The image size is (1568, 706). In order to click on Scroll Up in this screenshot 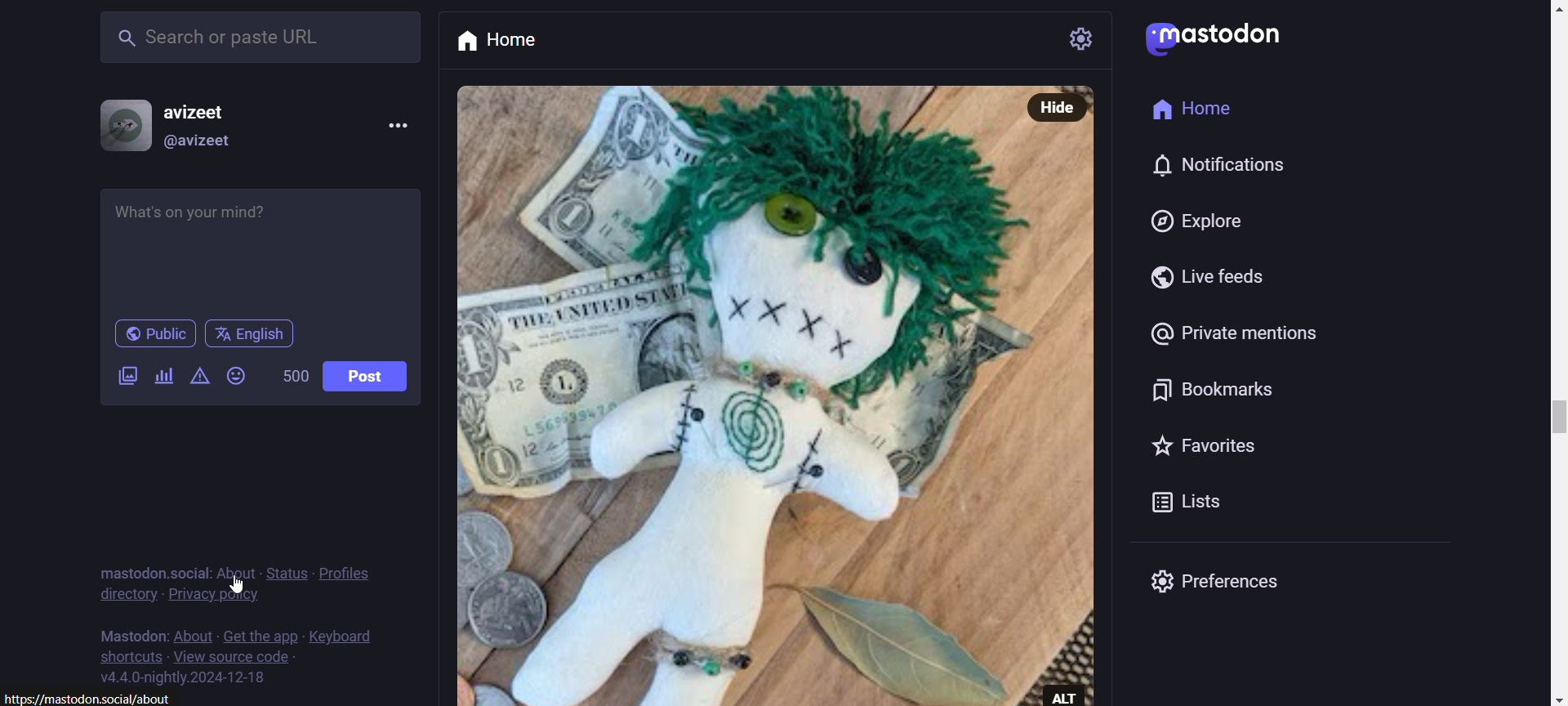, I will do `click(1549, 10)`.